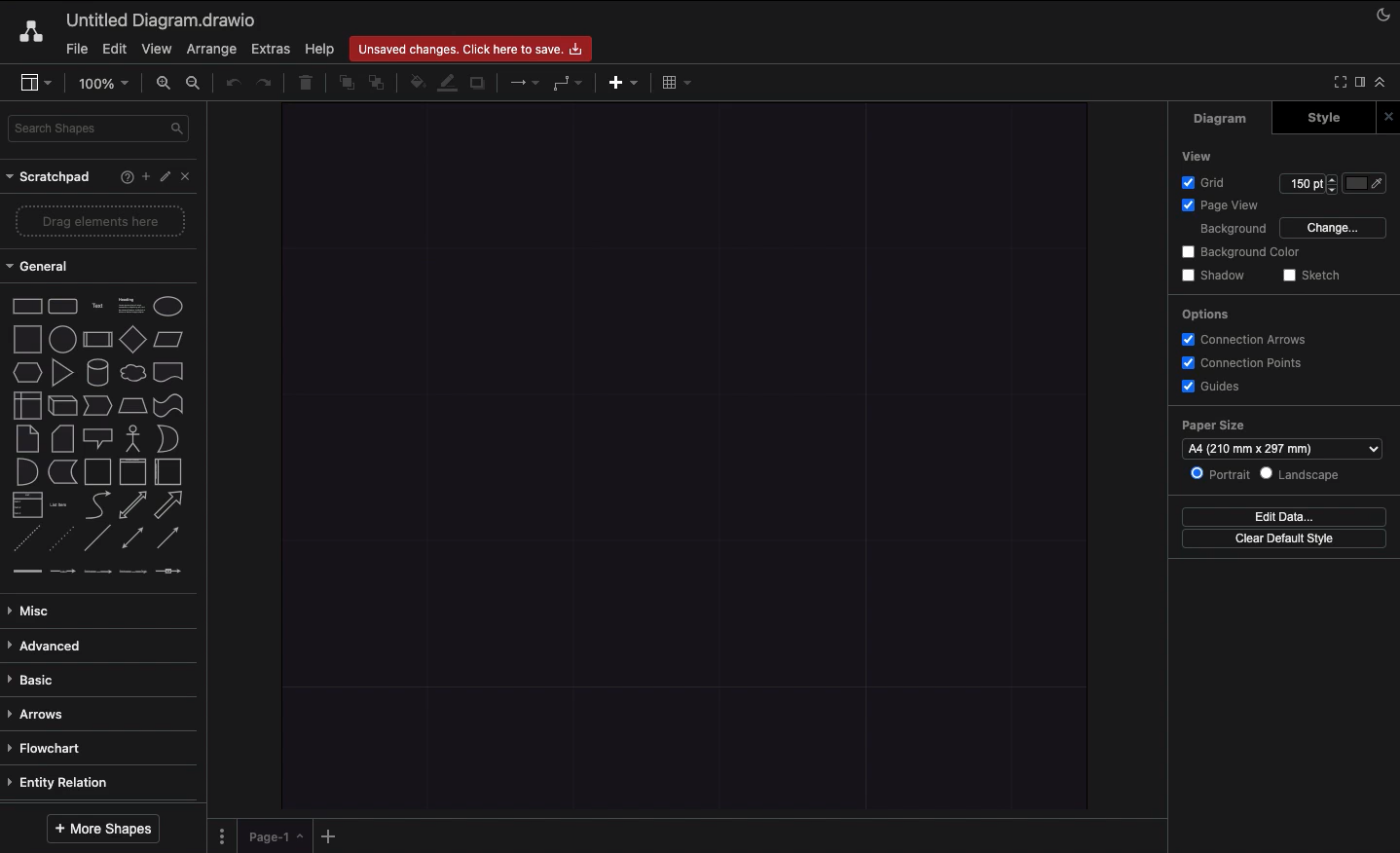  What do you see at coordinates (325, 49) in the screenshot?
I see `Help` at bounding box center [325, 49].